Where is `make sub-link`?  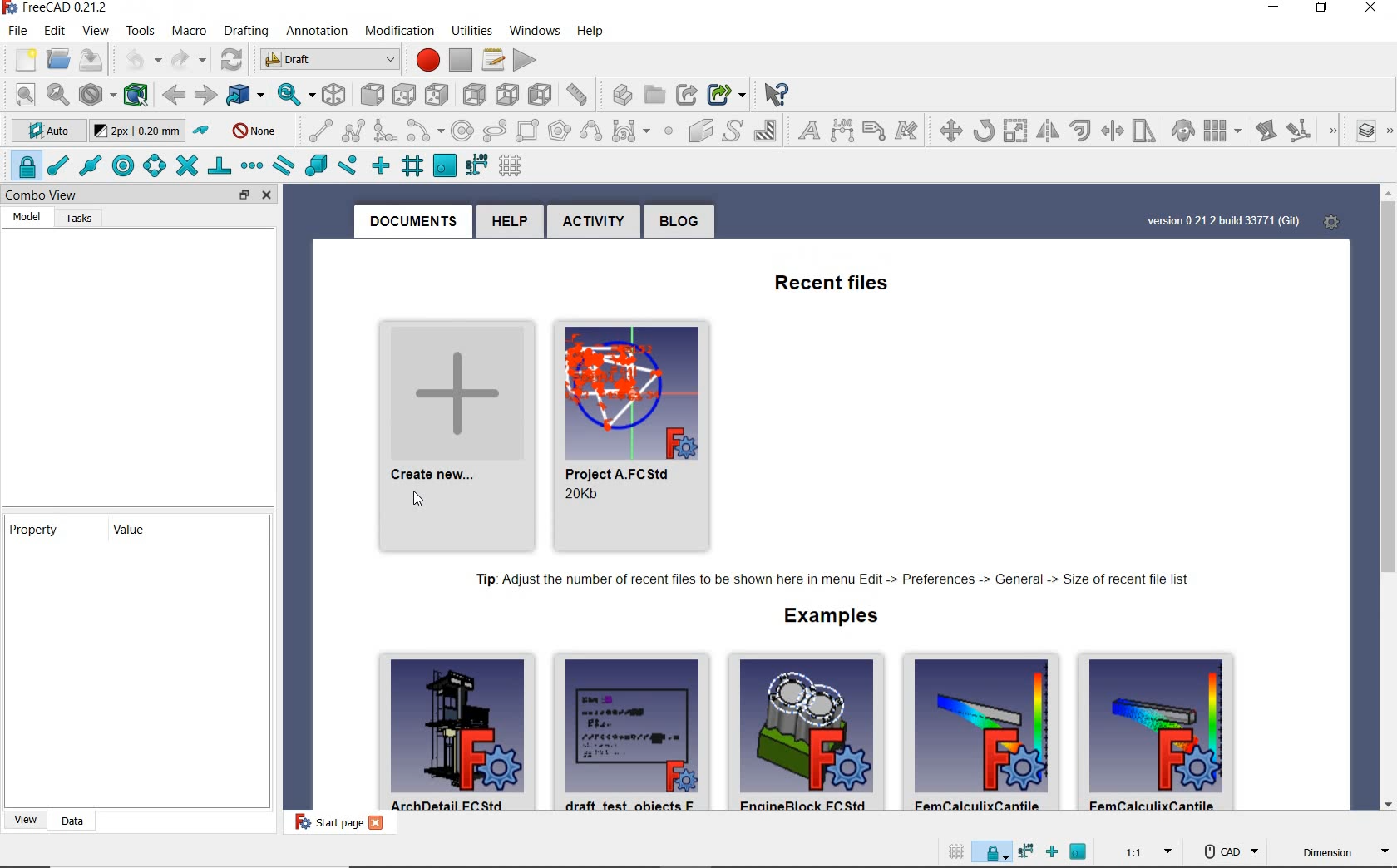 make sub-link is located at coordinates (690, 90).